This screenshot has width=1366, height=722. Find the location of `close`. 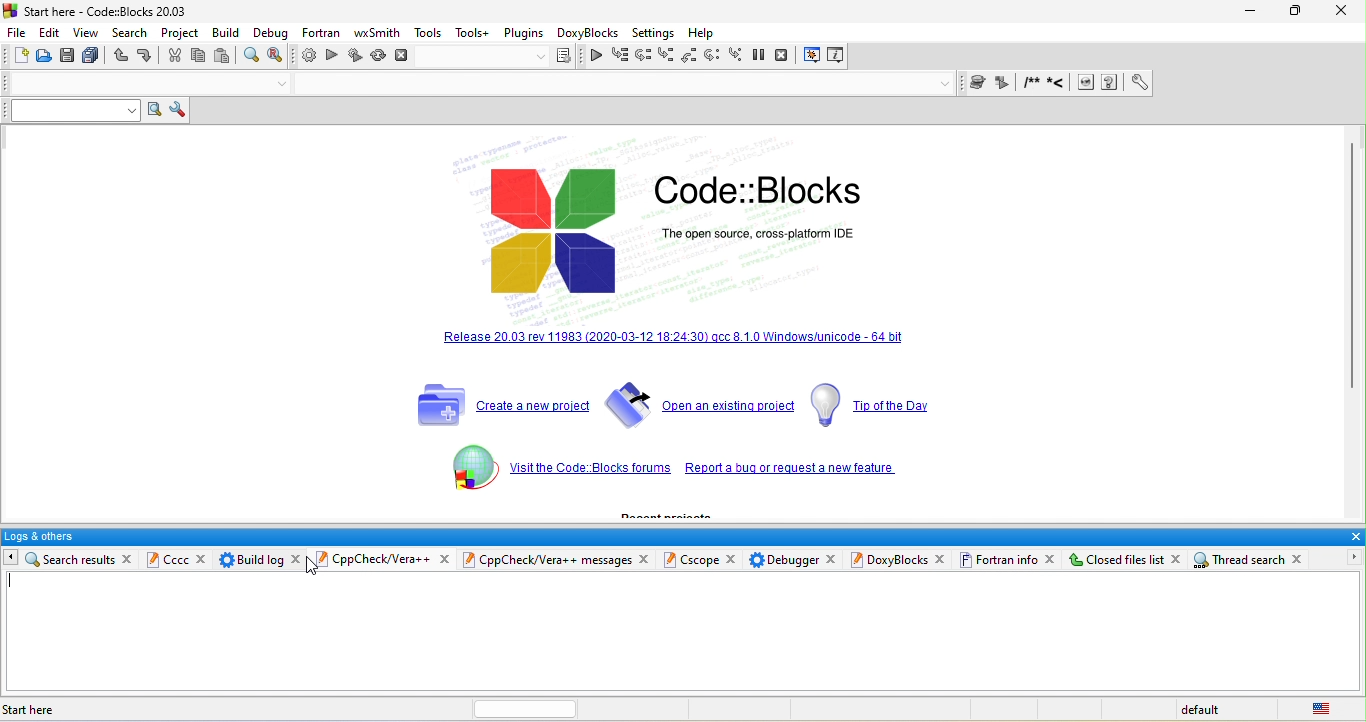

close is located at coordinates (651, 558).